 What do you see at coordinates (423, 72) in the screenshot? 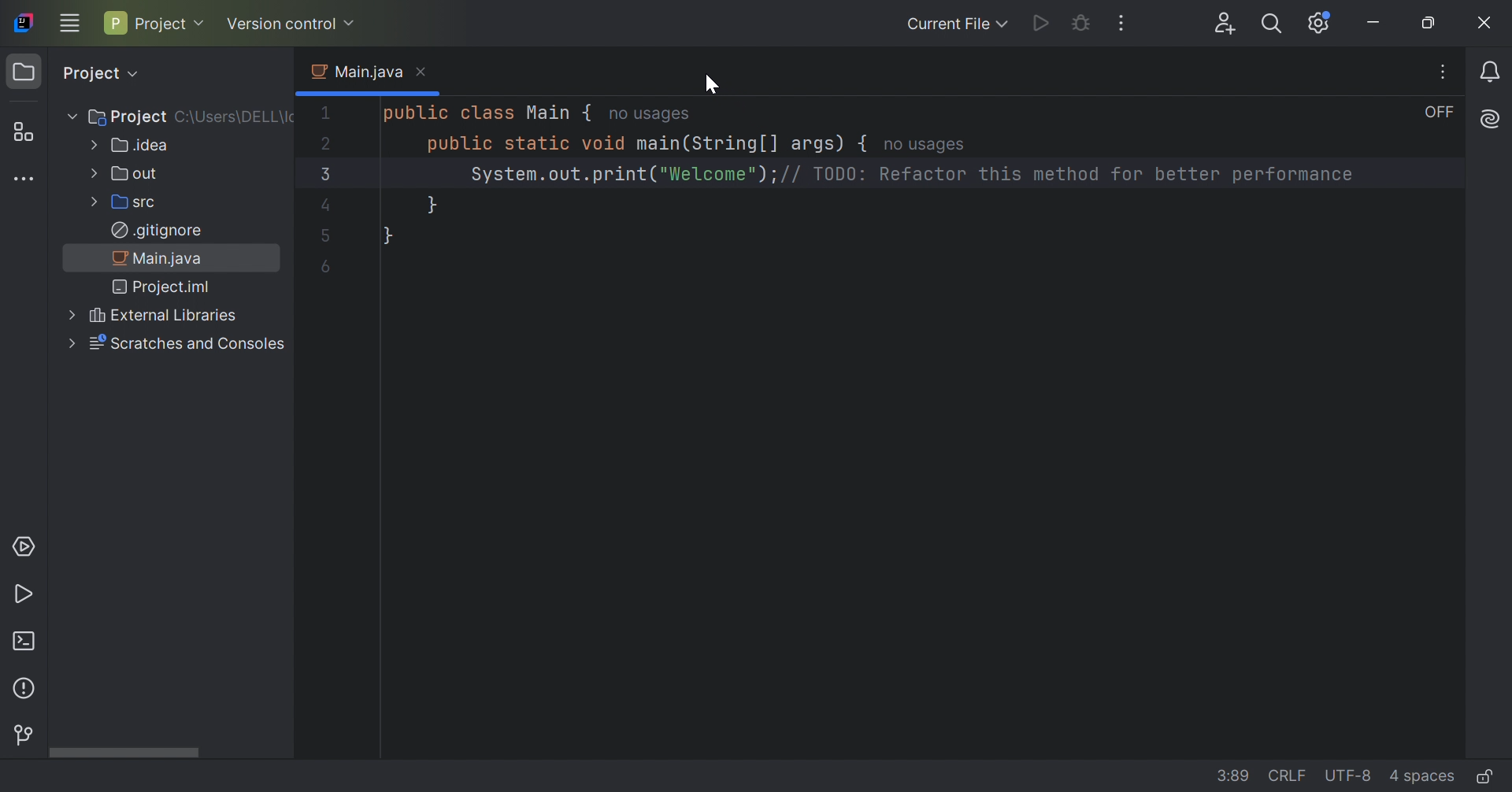
I see `Close` at bounding box center [423, 72].